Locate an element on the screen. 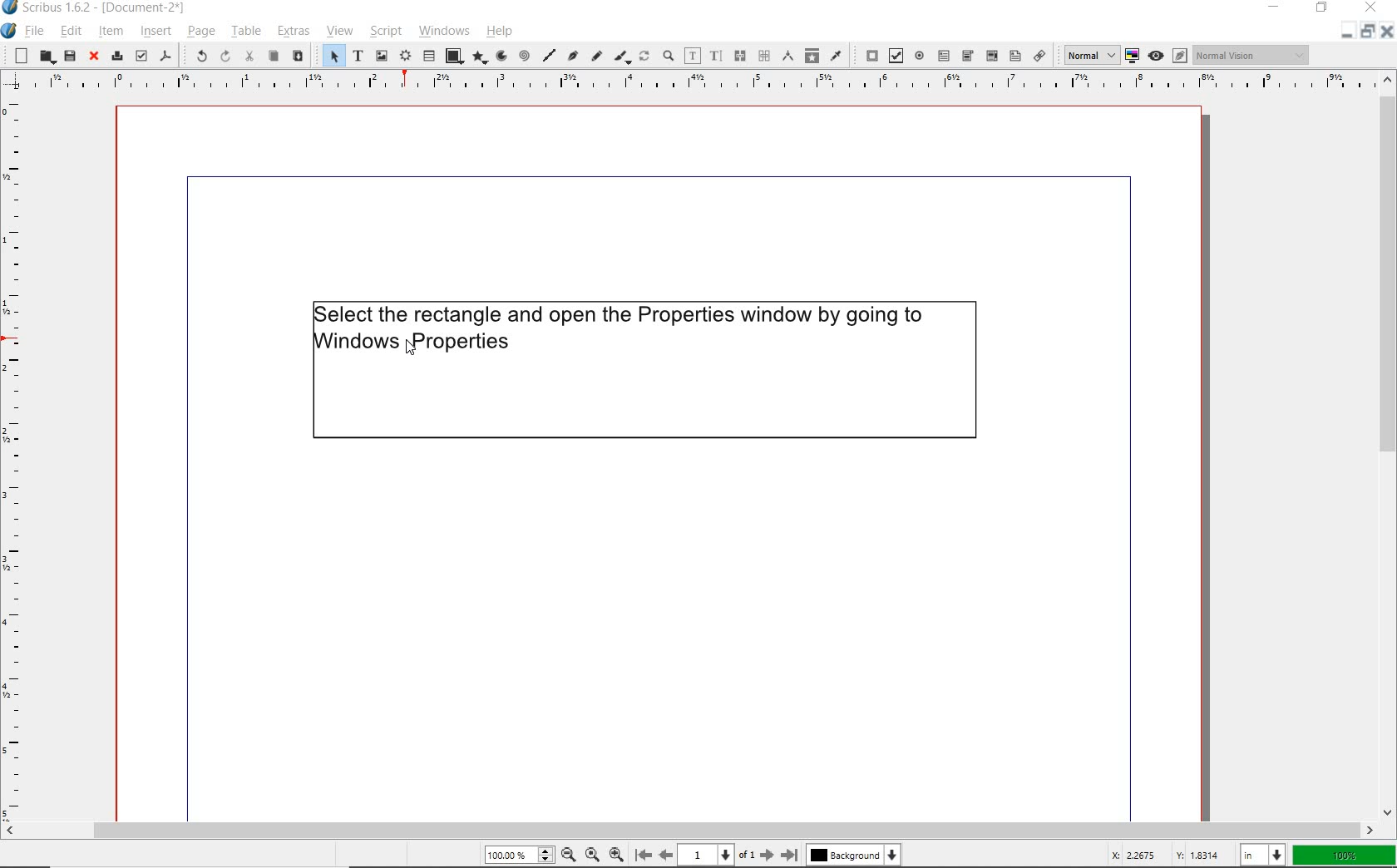 The width and height of the screenshot is (1397, 868). Bezier curve is located at coordinates (573, 57).